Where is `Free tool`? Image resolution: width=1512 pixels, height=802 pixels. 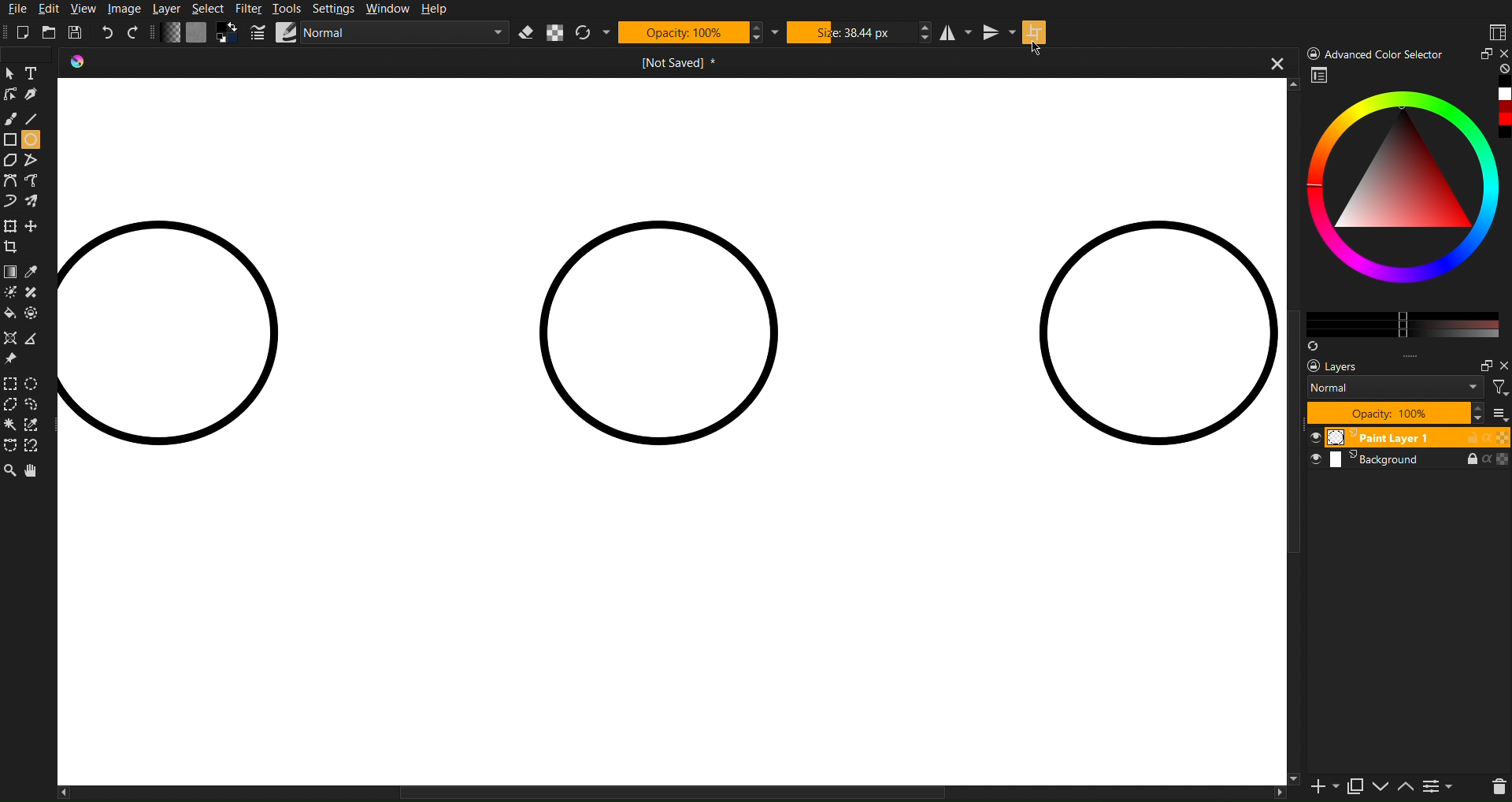 Free tool is located at coordinates (35, 446).